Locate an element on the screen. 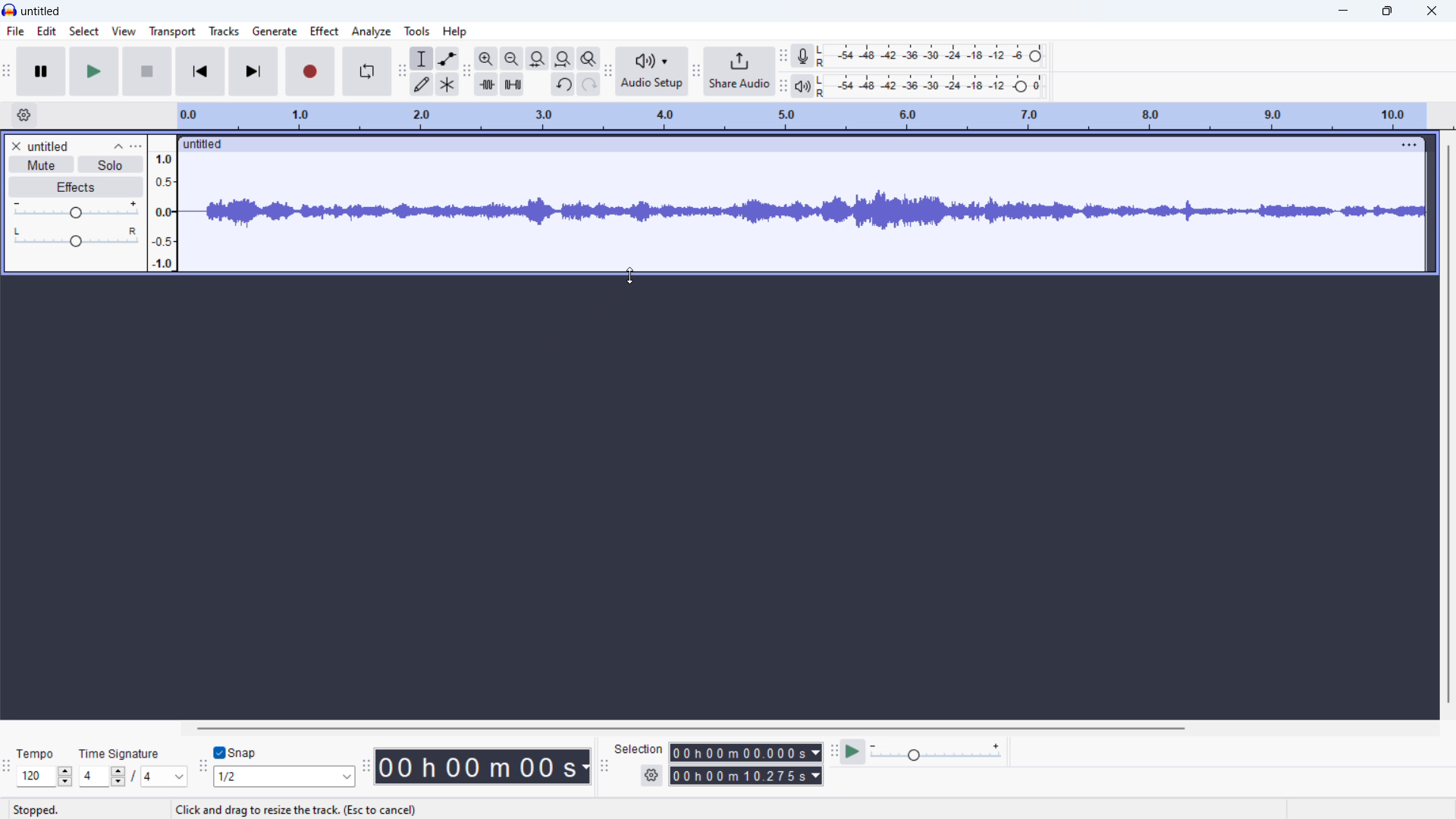  audio setup is located at coordinates (651, 72).